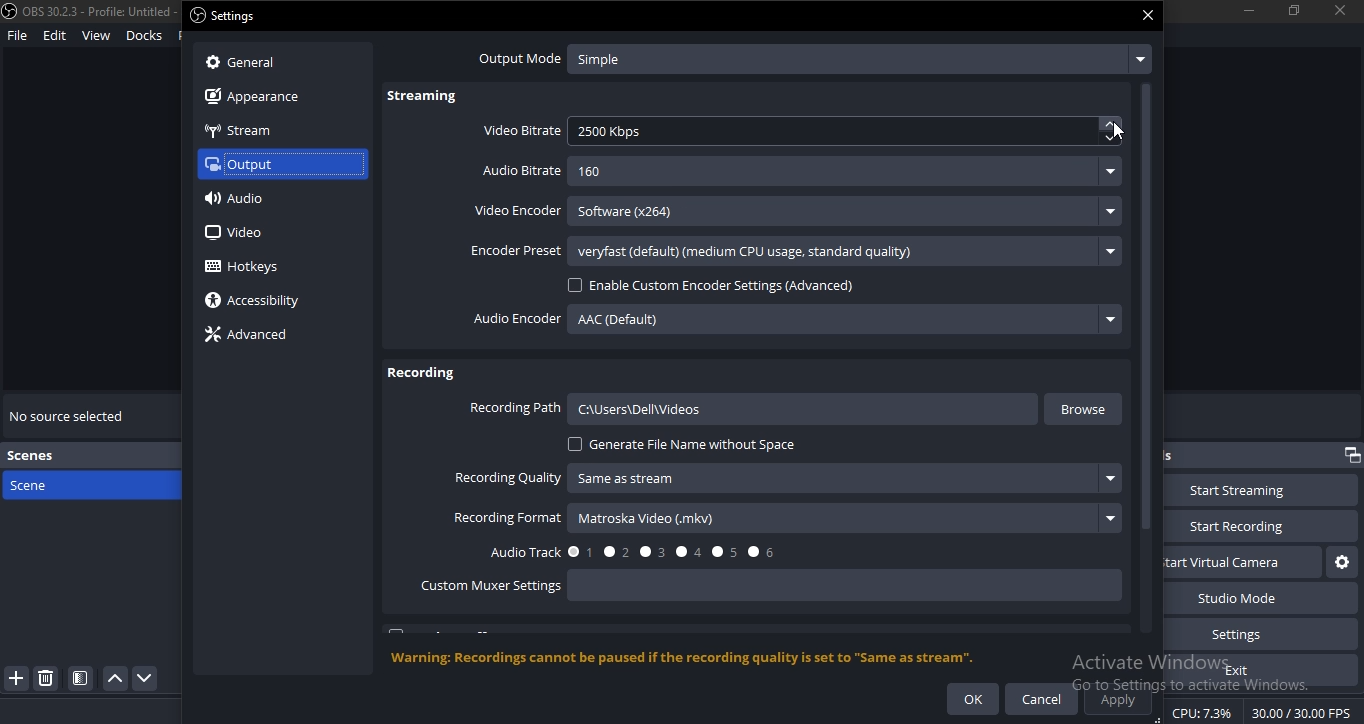 Image resolution: width=1364 pixels, height=724 pixels. What do you see at coordinates (1242, 670) in the screenshot?
I see `exit` at bounding box center [1242, 670].